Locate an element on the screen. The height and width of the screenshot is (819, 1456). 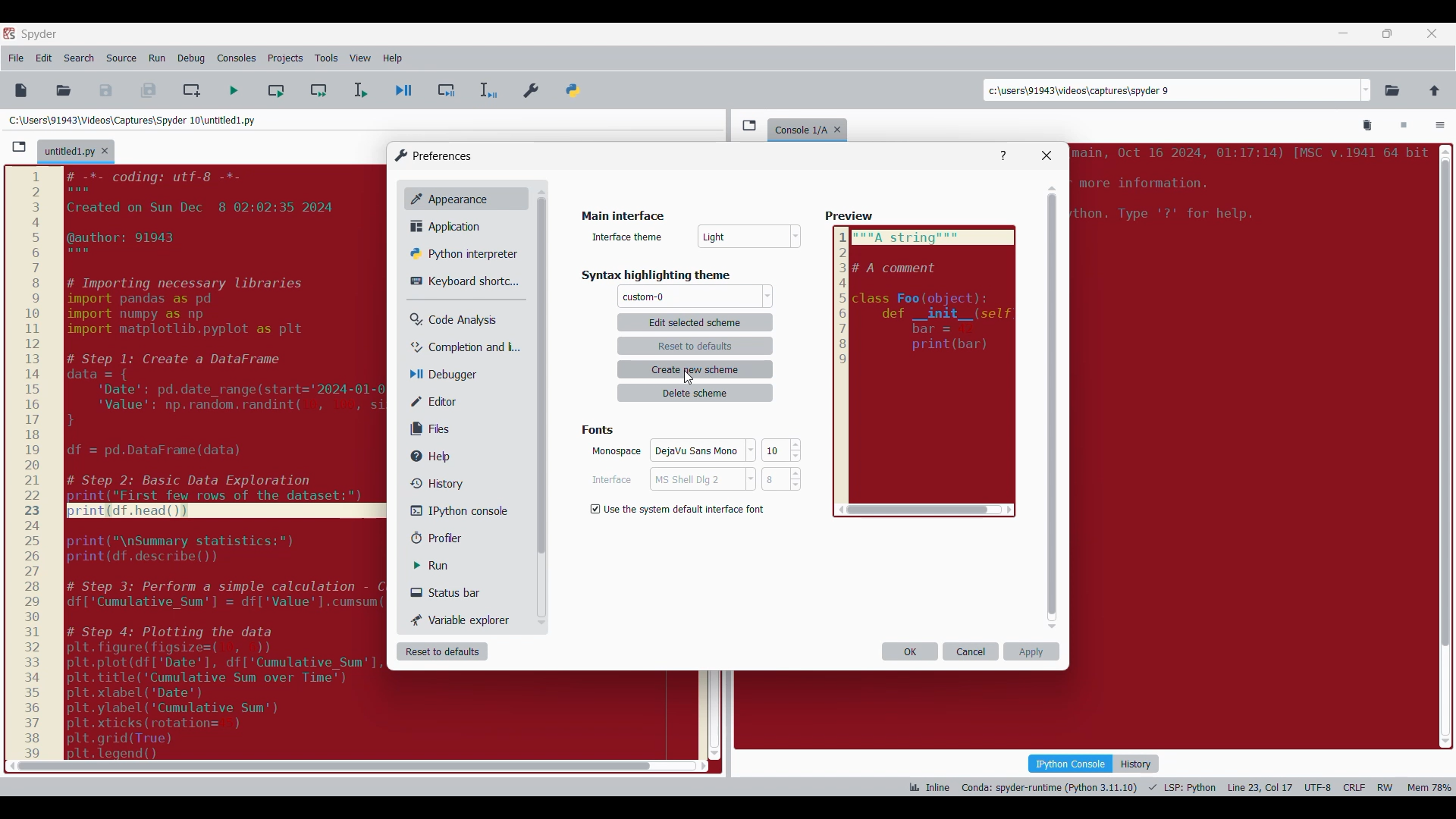
Run current cell is located at coordinates (276, 90).